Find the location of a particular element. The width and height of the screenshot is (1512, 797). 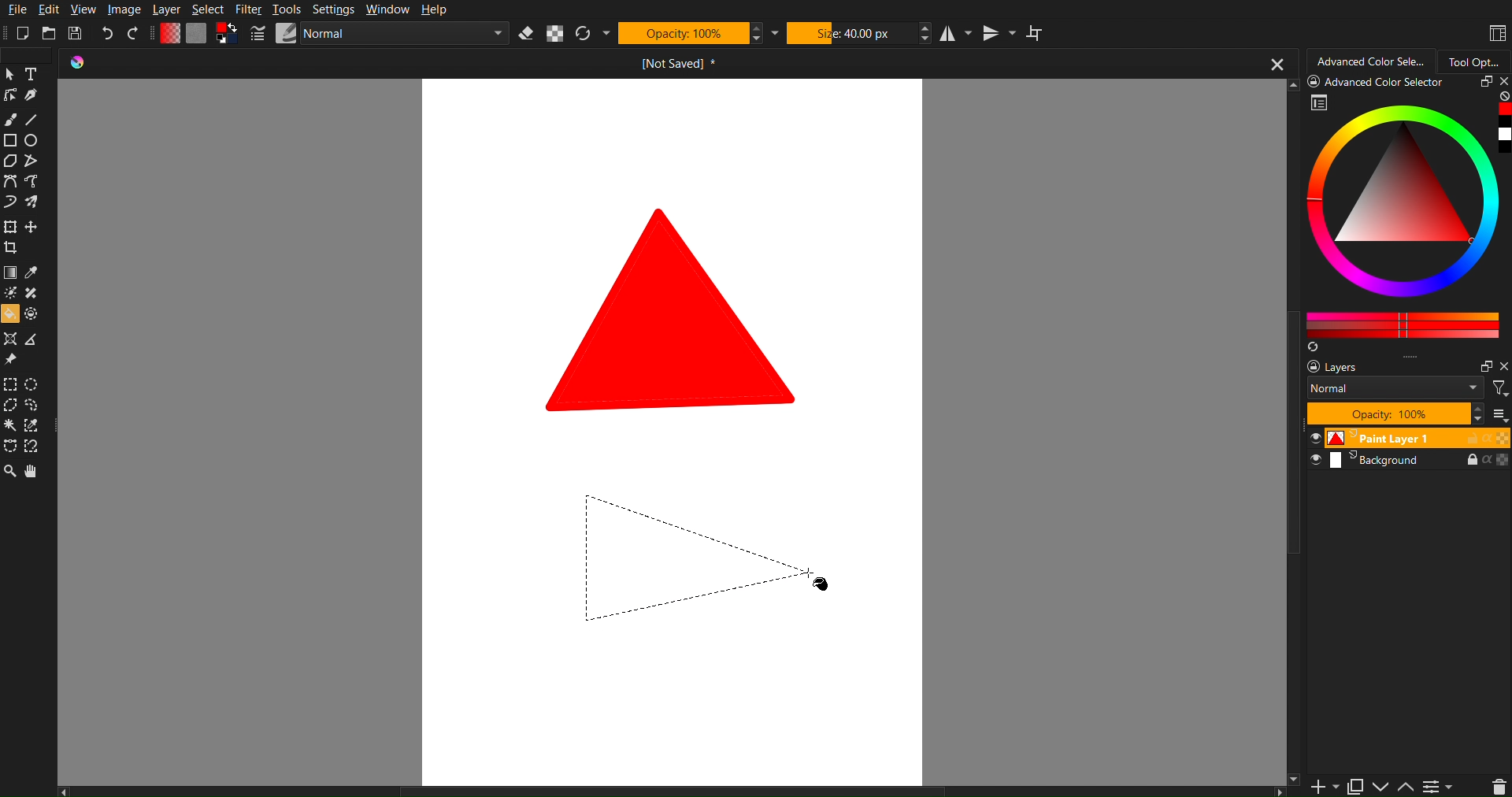

Advanced Color Selector is located at coordinates (1371, 61).